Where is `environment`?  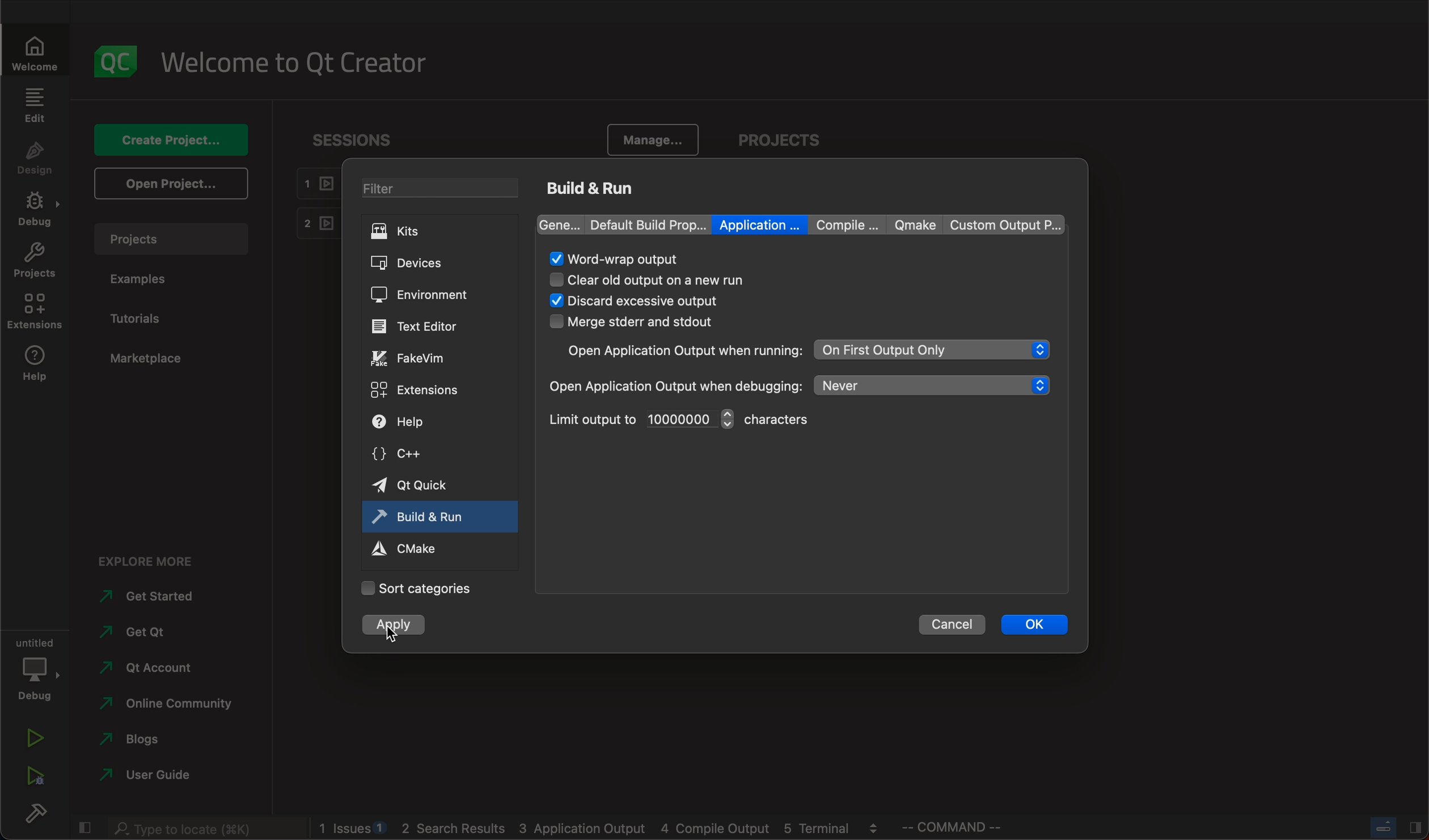 environment is located at coordinates (430, 294).